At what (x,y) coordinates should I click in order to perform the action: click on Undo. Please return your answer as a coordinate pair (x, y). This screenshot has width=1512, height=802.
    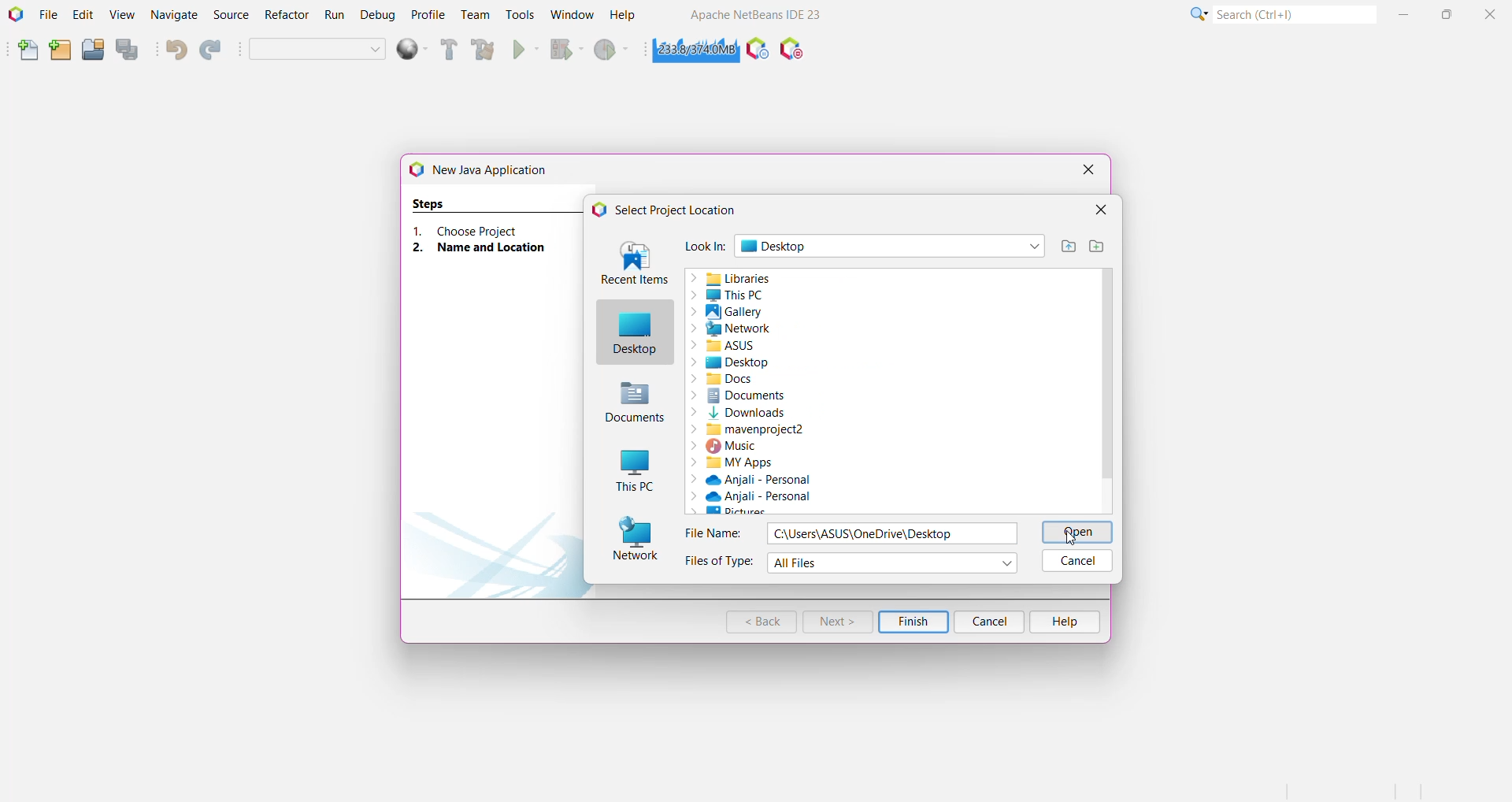
    Looking at the image, I should click on (176, 51).